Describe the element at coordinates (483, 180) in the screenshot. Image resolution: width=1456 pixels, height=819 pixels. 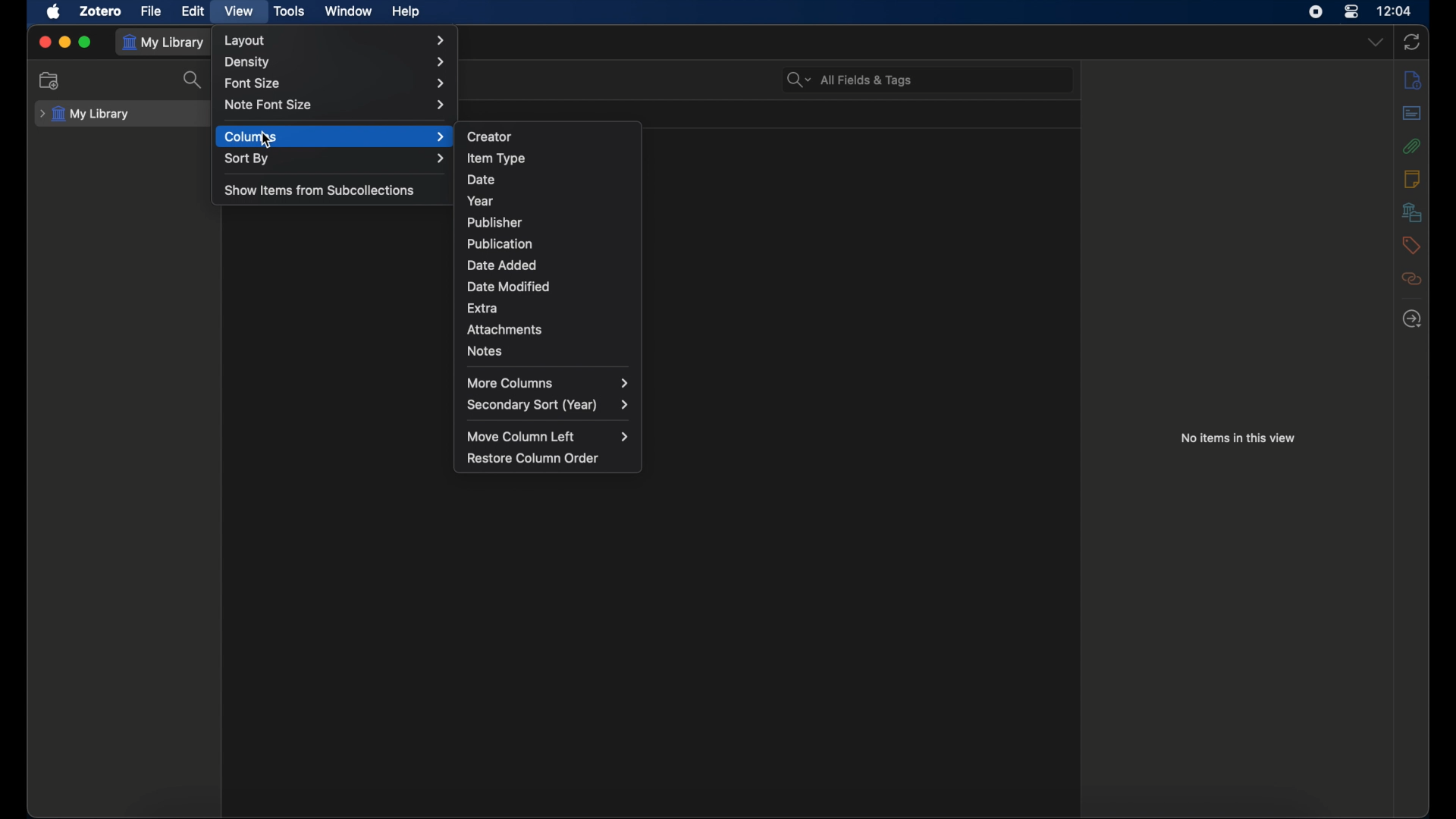
I see `date` at that location.